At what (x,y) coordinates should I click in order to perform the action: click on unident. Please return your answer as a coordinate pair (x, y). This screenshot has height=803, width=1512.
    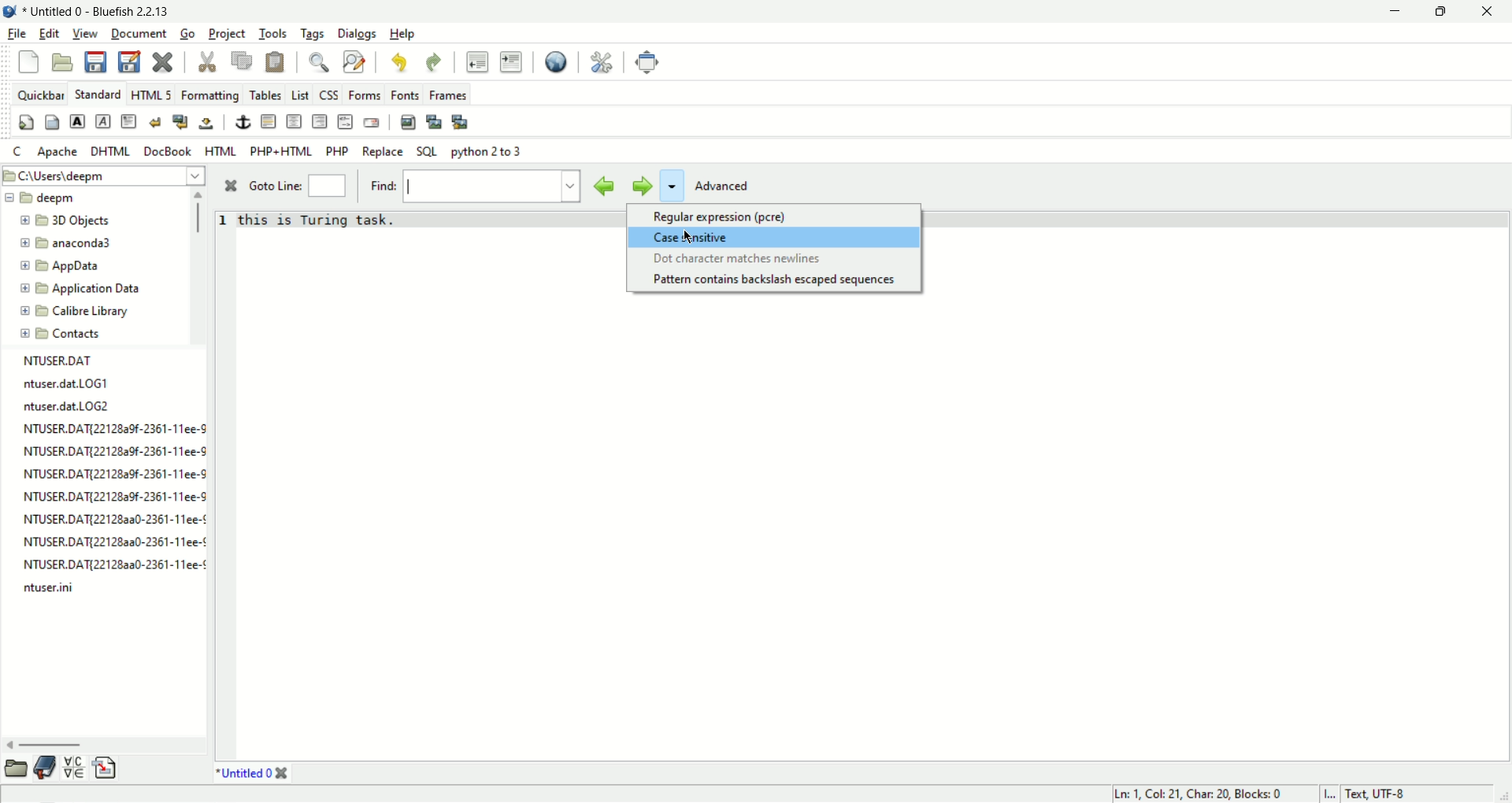
    Looking at the image, I should click on (476, 61).